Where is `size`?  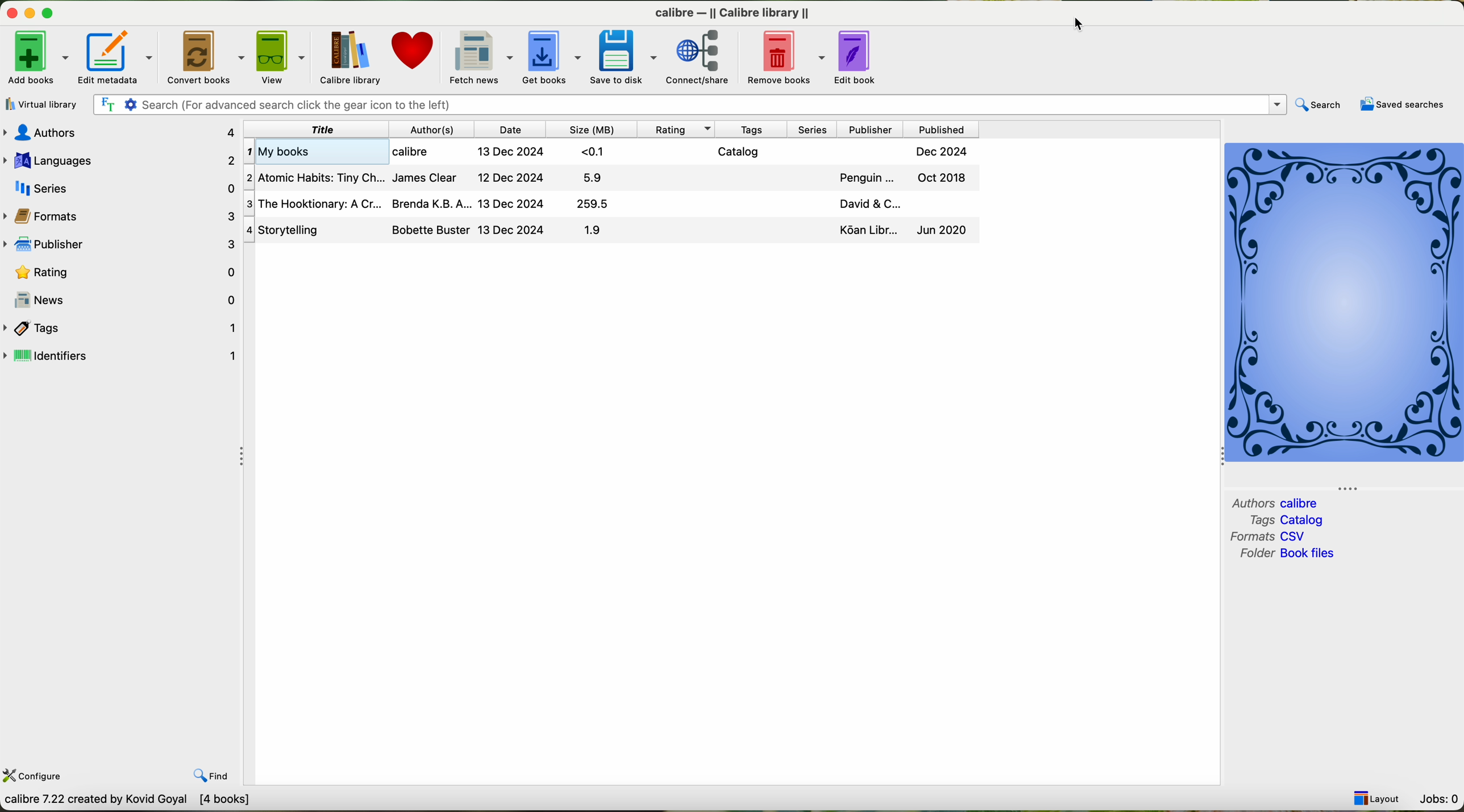 size is located at coordinates (591, 130).